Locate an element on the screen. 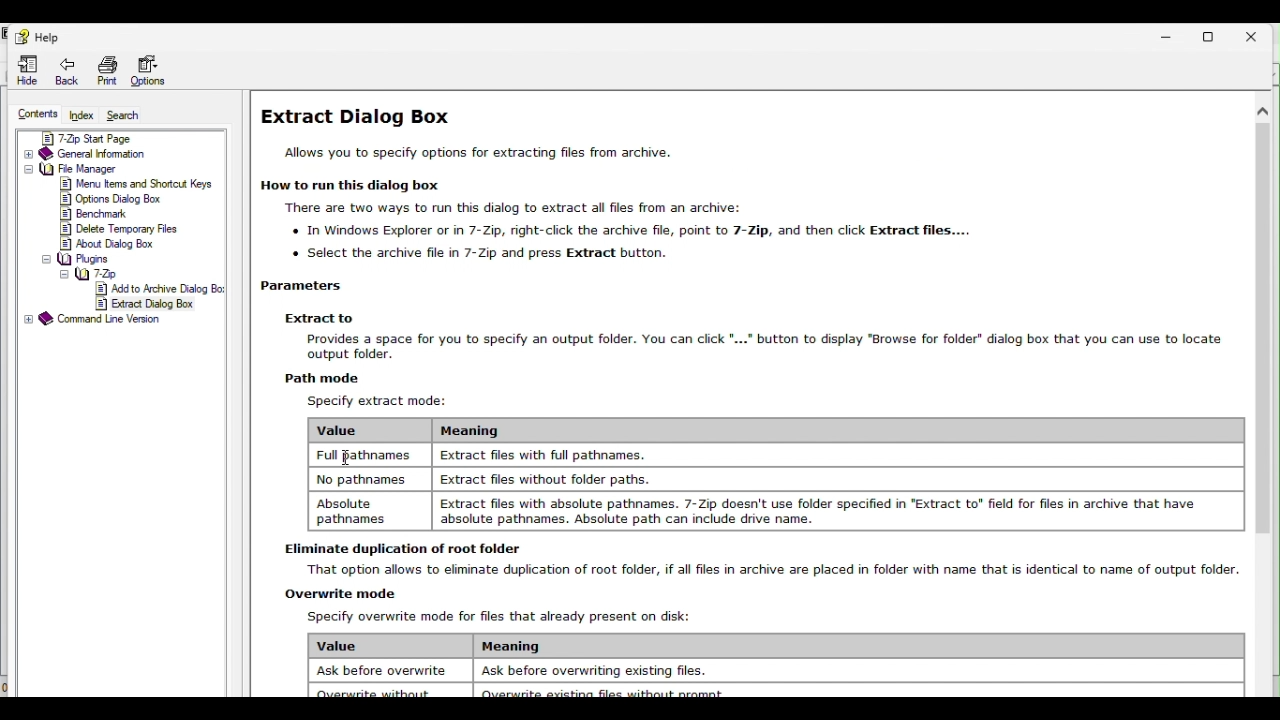 The height and width of the screenshot is (720, 1280). cursor is located at coordinates (343, 456).